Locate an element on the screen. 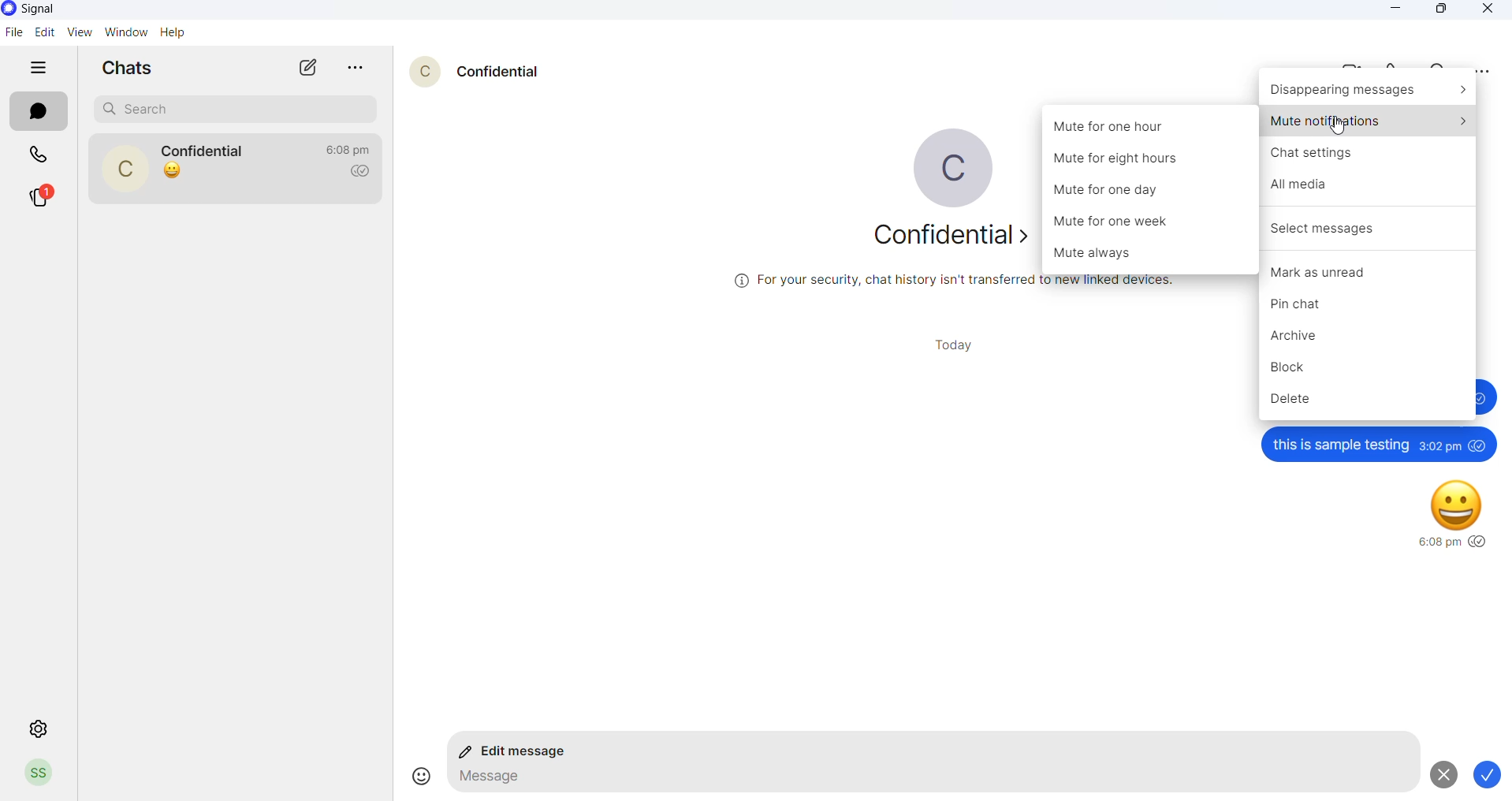  Help is located at coordinates (177, 32).